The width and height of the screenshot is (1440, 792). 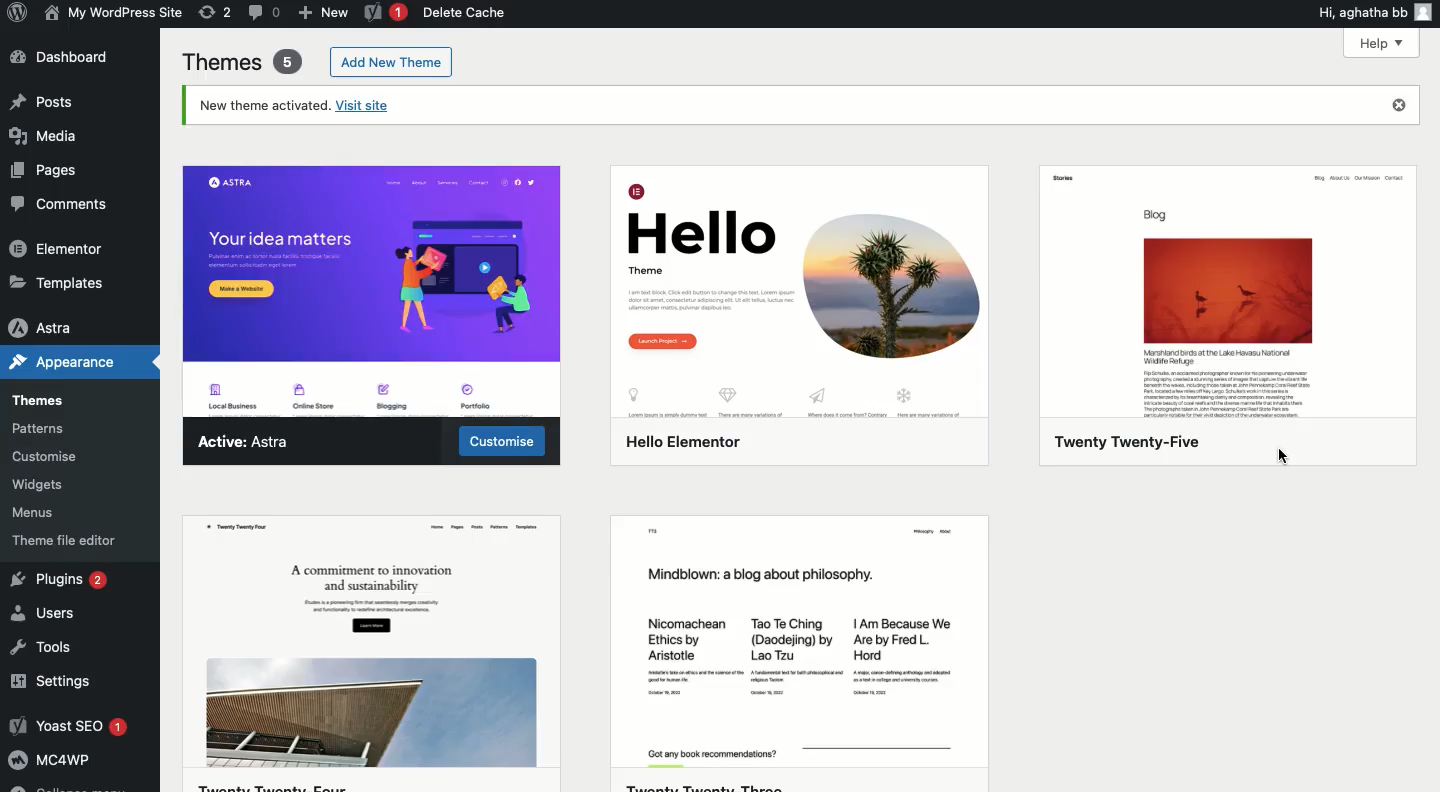 What do you see at coordinates (1427, 12) in the screenshot?
I see `user icon` at bounding box center [1427, 12].